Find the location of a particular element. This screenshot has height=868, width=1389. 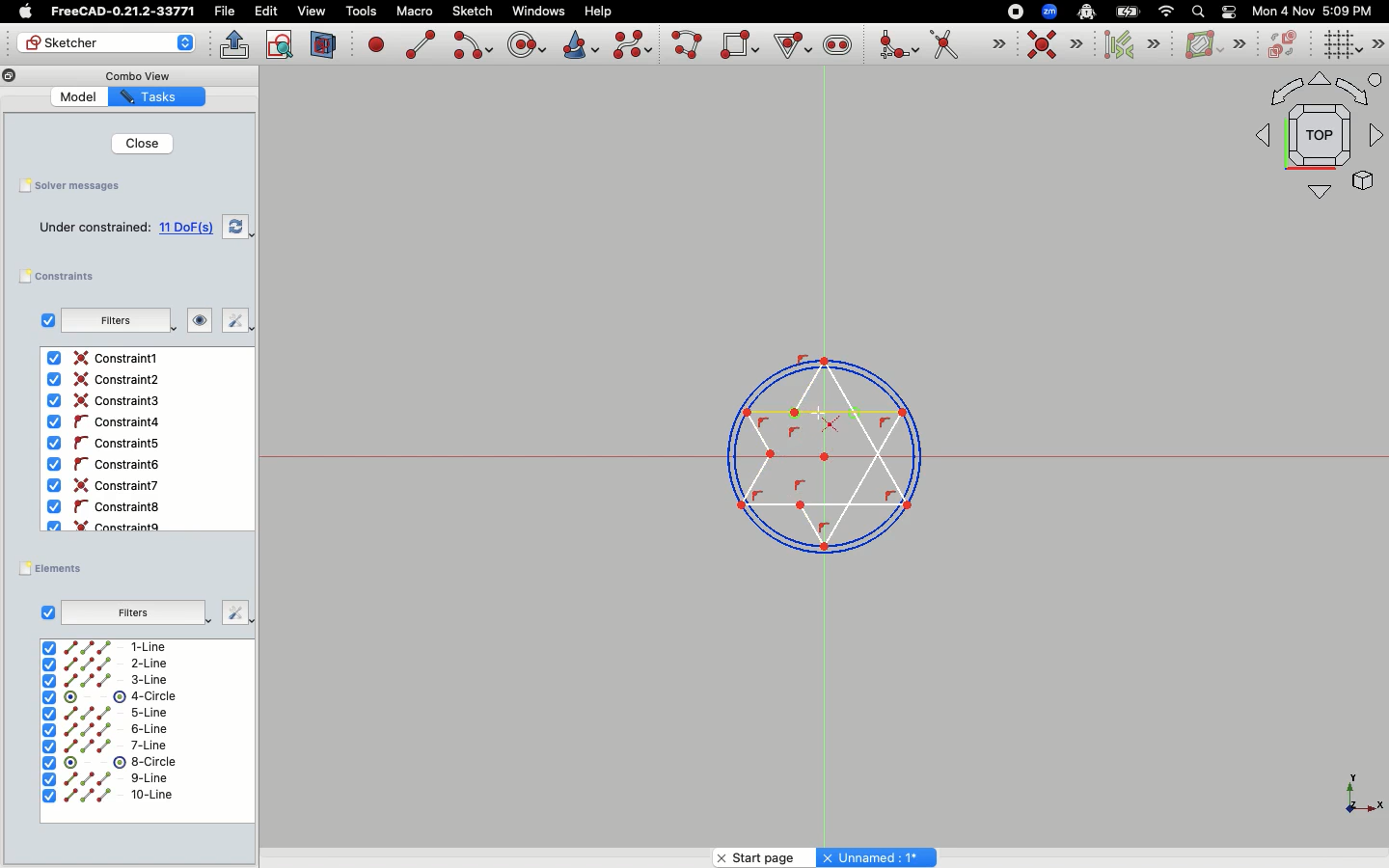

Solver messages is located at coordinates (71, 187).